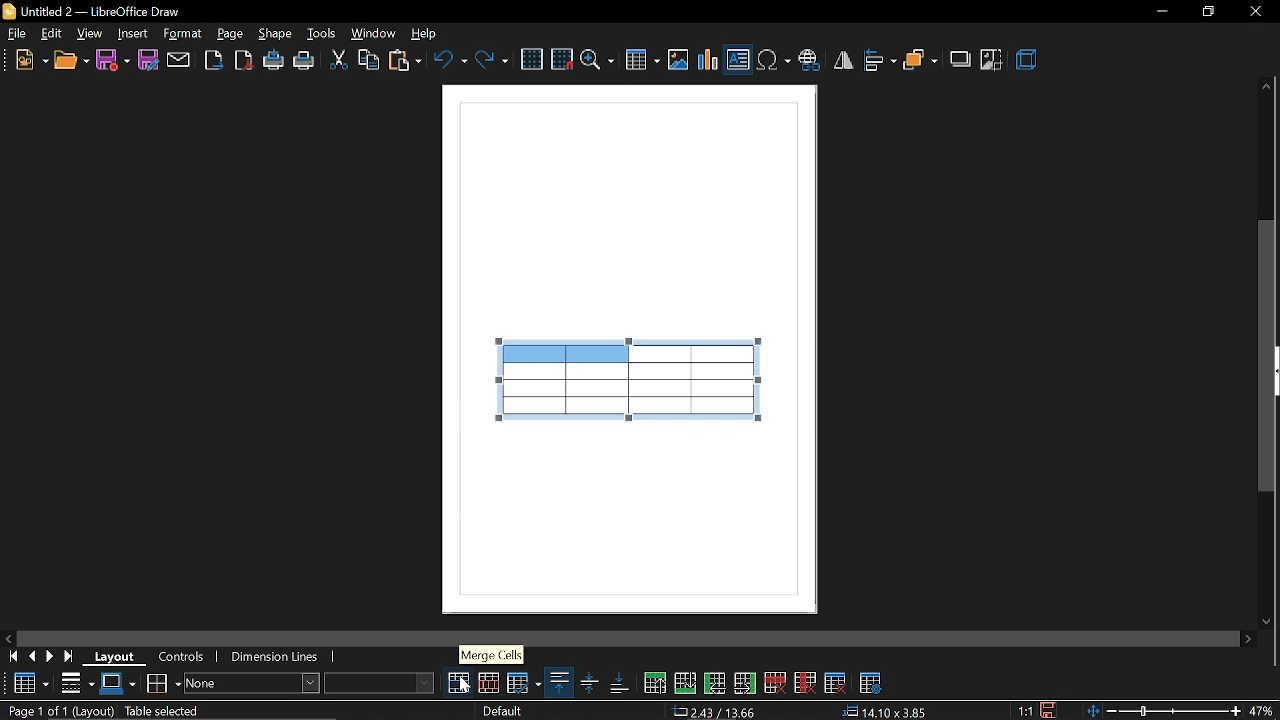 Image resolution: width=1280 pixels, height=720 pixels. I want to click on layout, so click(119, 657).